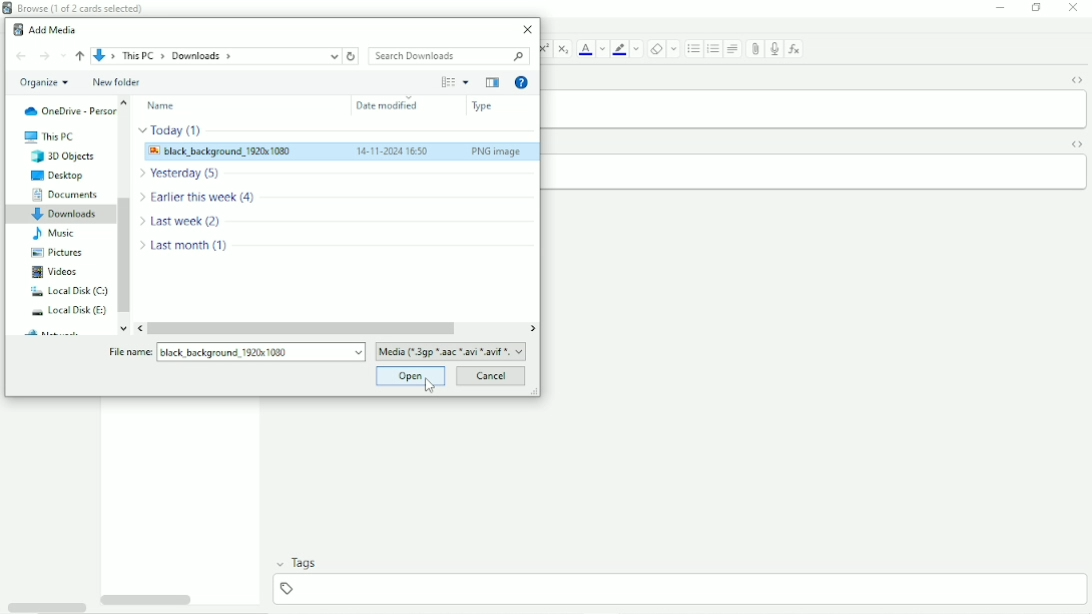 This screenshot has width=1092, height=614. Describe the element at coordinates (1001, 8) in the screenshot. I see `Minimize` at that location.